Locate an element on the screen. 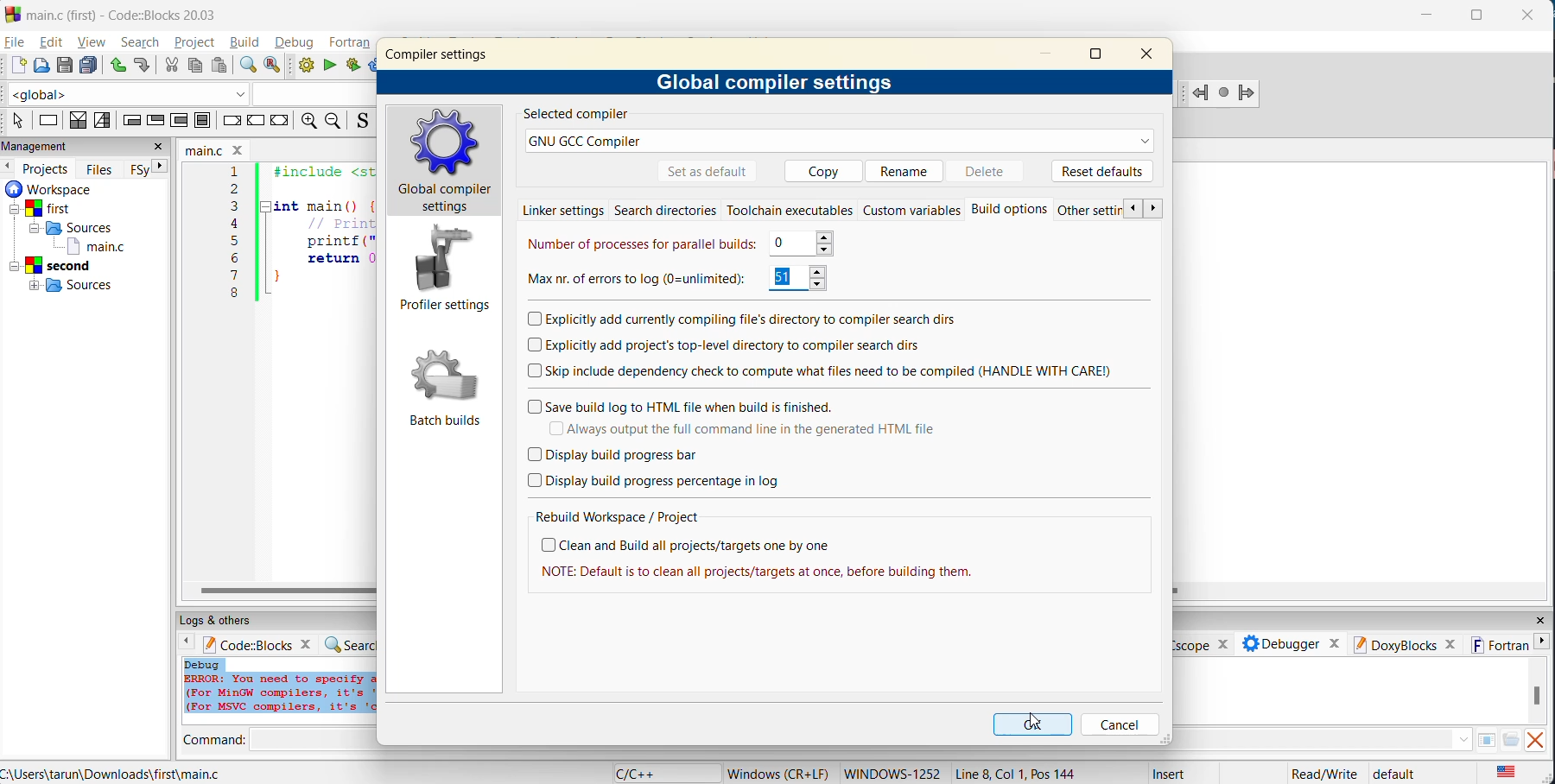 The width and height of the screenshot is (1555, 784). break instruction is located at coordinates (229, 121).